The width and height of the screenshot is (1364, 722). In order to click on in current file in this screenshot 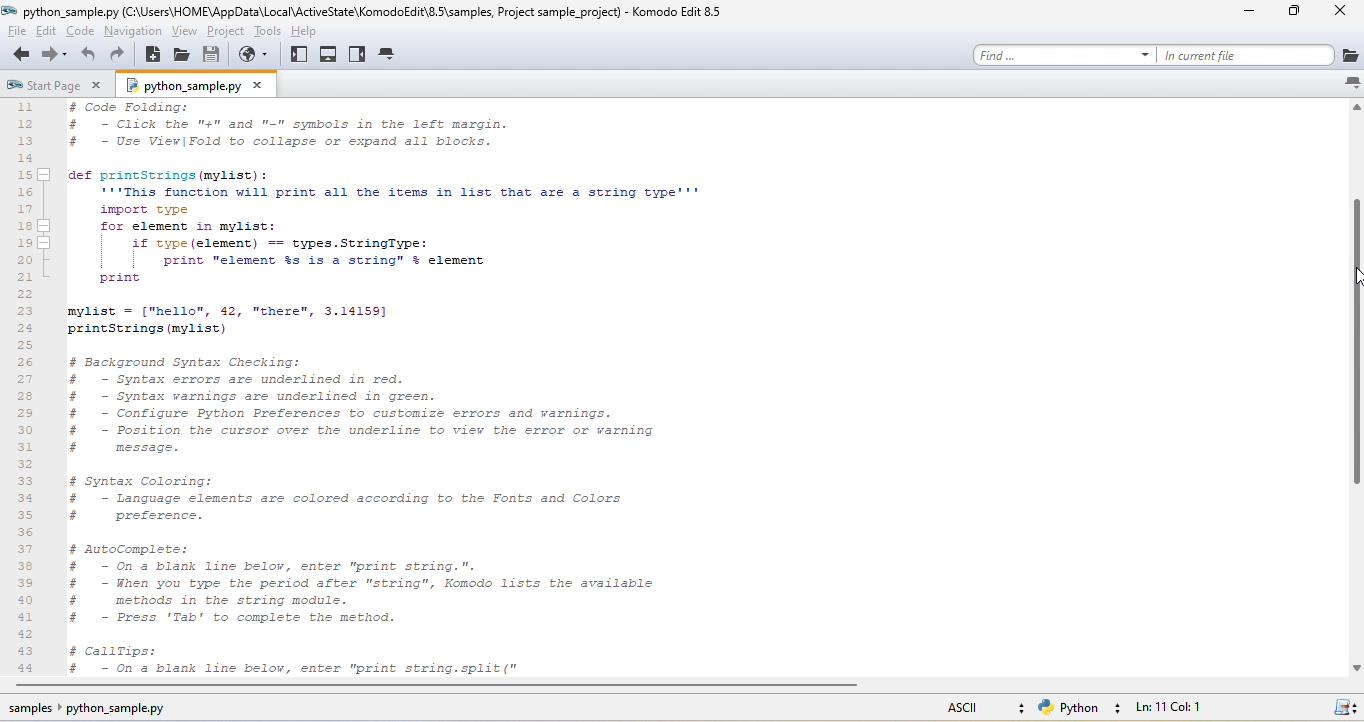, I will do `click(1259, 55)`.